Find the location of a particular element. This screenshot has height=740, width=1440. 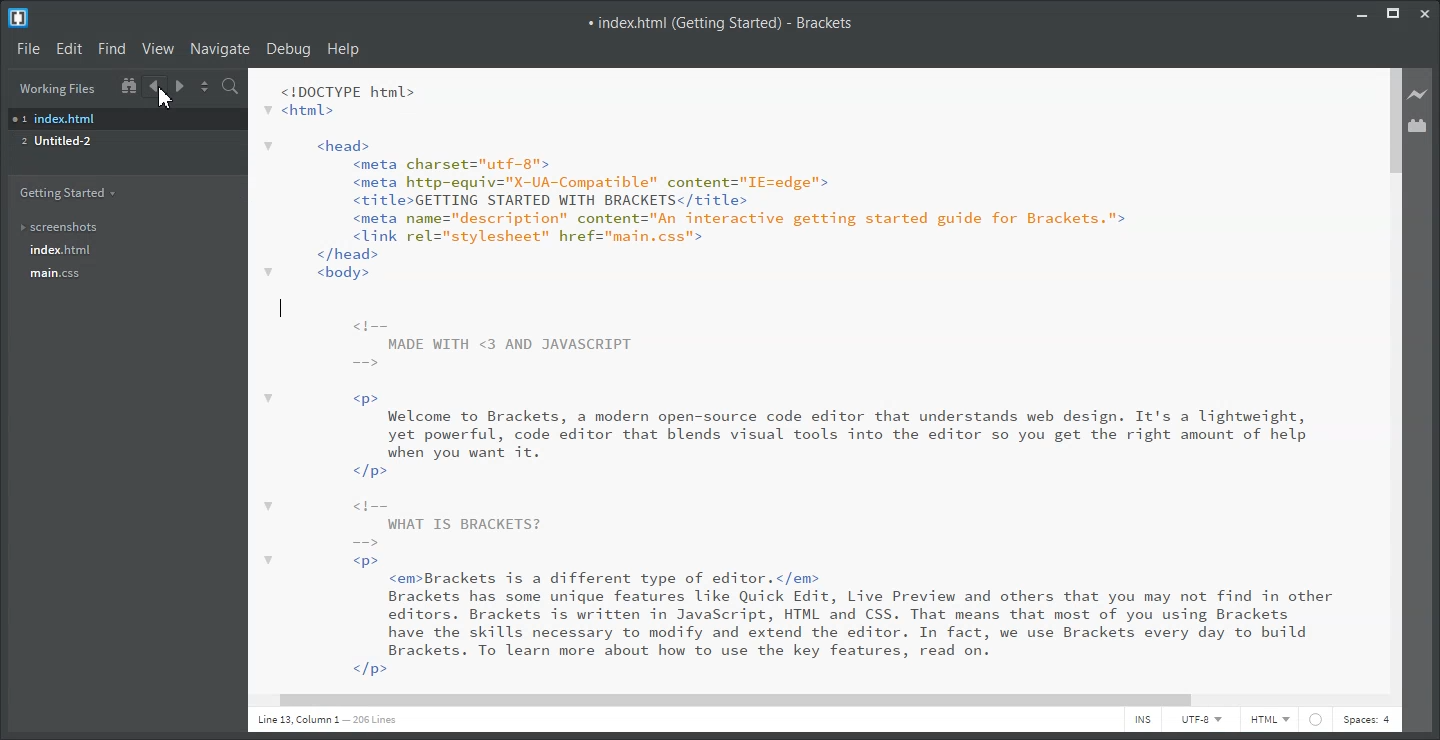

HTML is located at coordinates (1270, 721).